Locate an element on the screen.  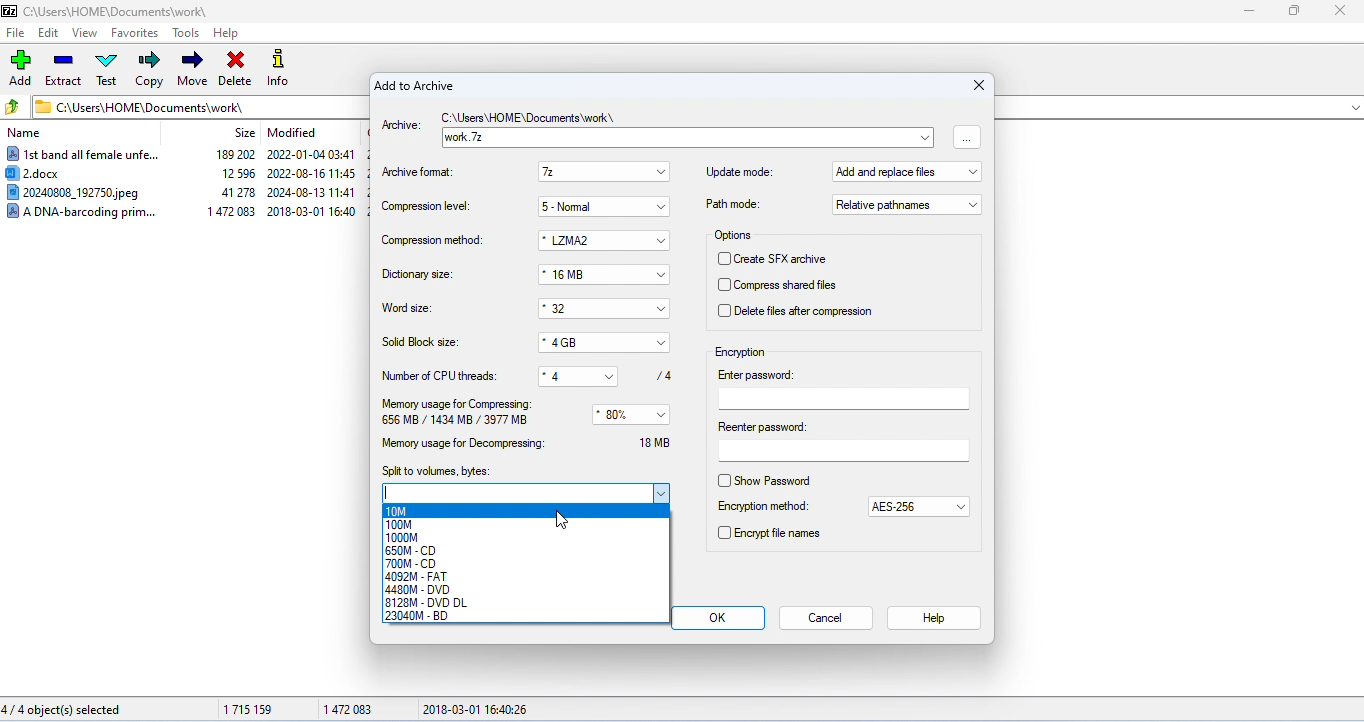
cancel is located at coordinates (827, 618).